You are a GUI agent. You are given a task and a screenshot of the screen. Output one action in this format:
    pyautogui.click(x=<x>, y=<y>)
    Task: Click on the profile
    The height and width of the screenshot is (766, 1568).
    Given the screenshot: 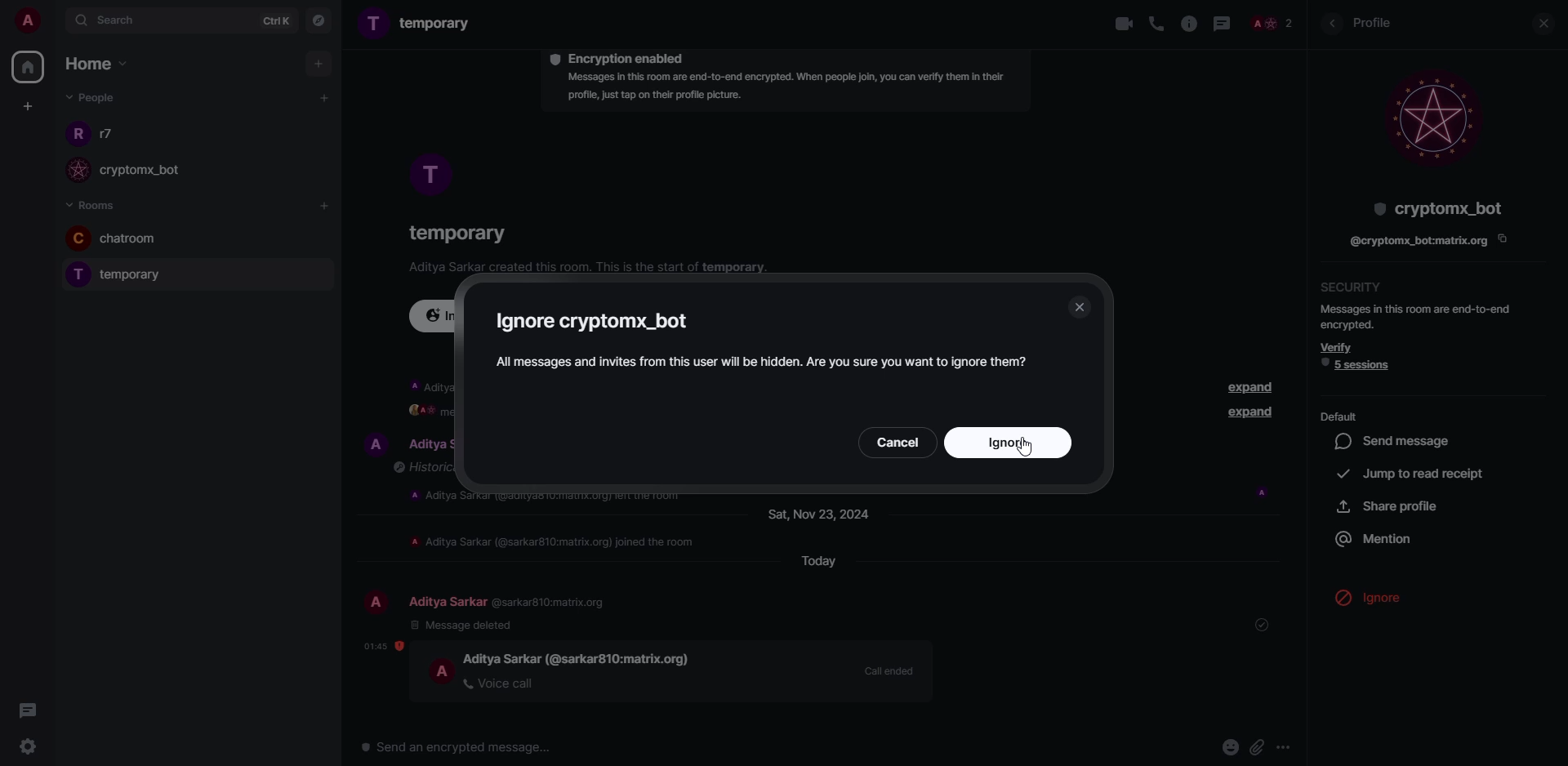 What is the action you would take?
    pyautogui.click(x=79, y=238)
    